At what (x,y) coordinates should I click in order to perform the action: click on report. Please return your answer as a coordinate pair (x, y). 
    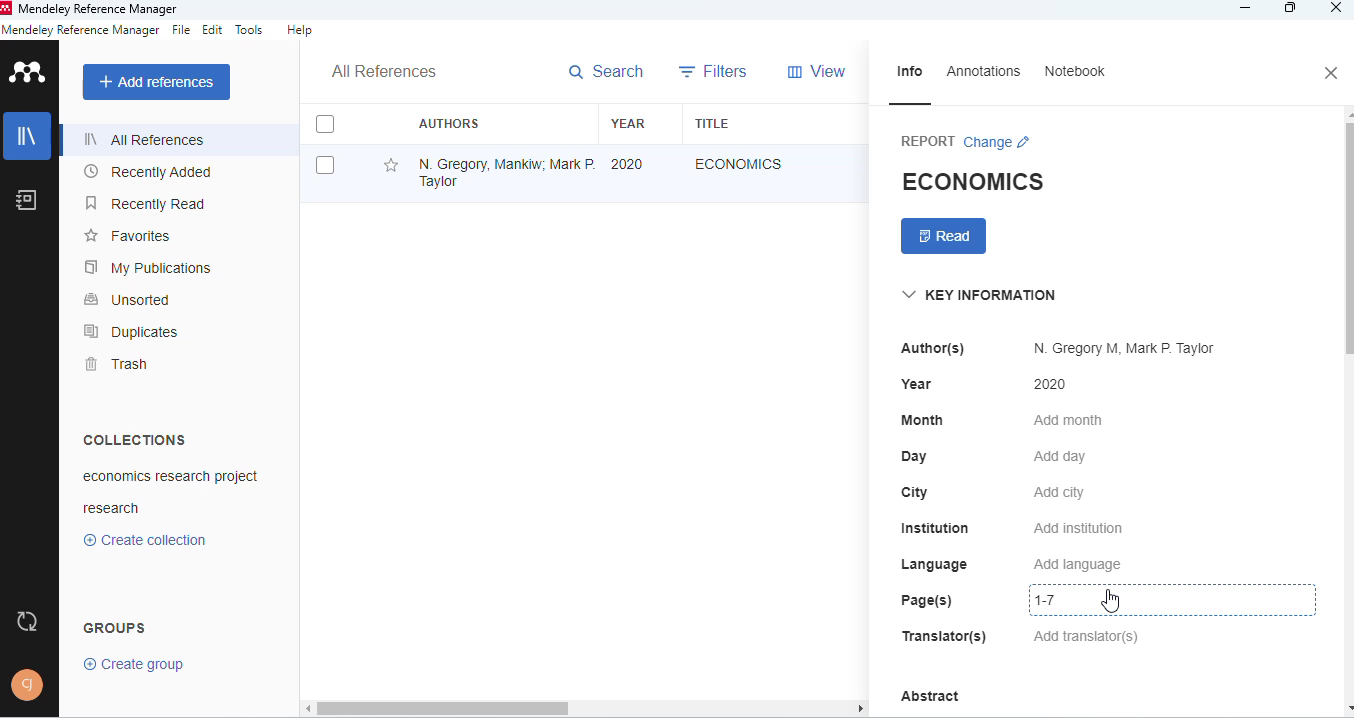
    Looking at the image, I should click on (928, 141).